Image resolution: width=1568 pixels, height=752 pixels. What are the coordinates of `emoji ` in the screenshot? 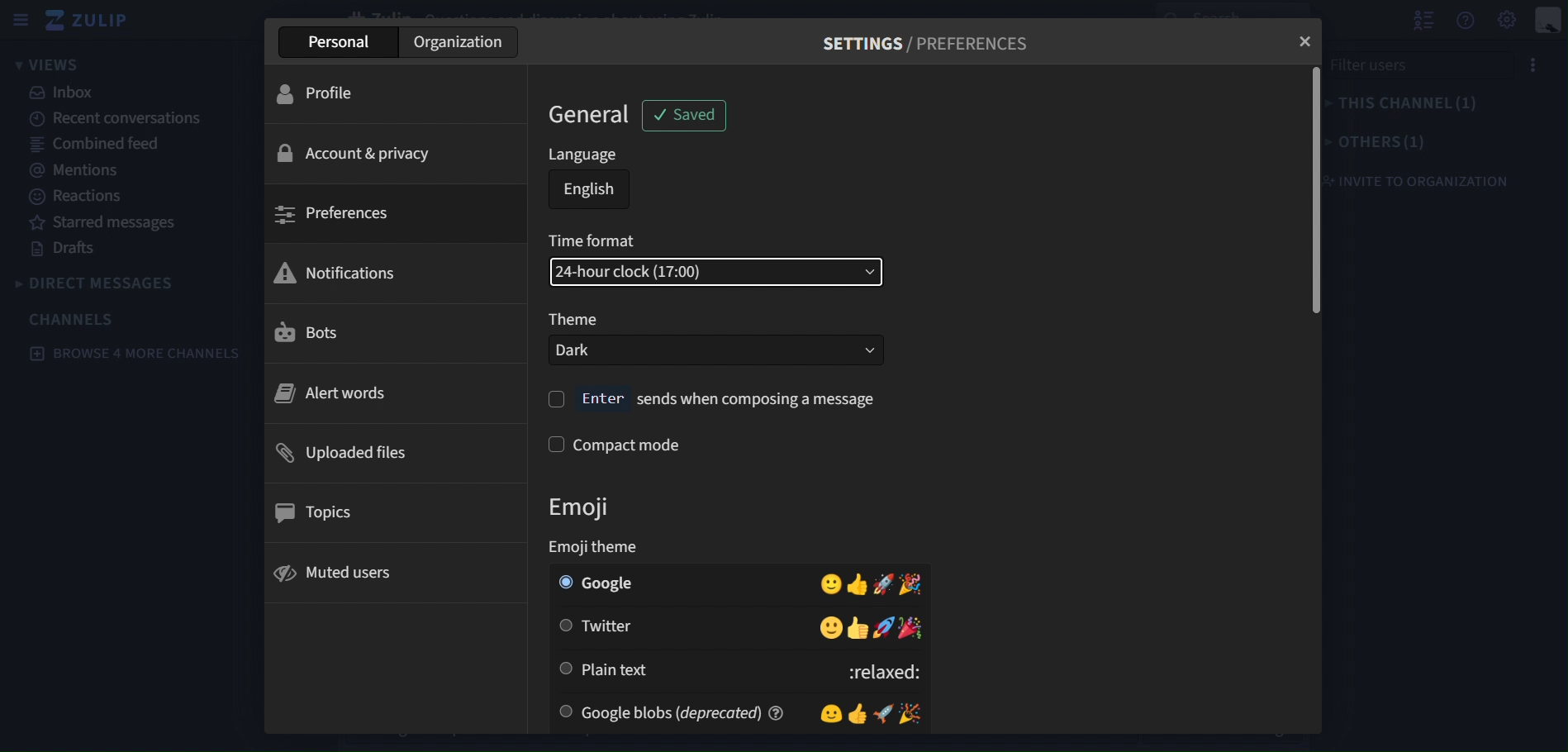 It's located at (587, 507).